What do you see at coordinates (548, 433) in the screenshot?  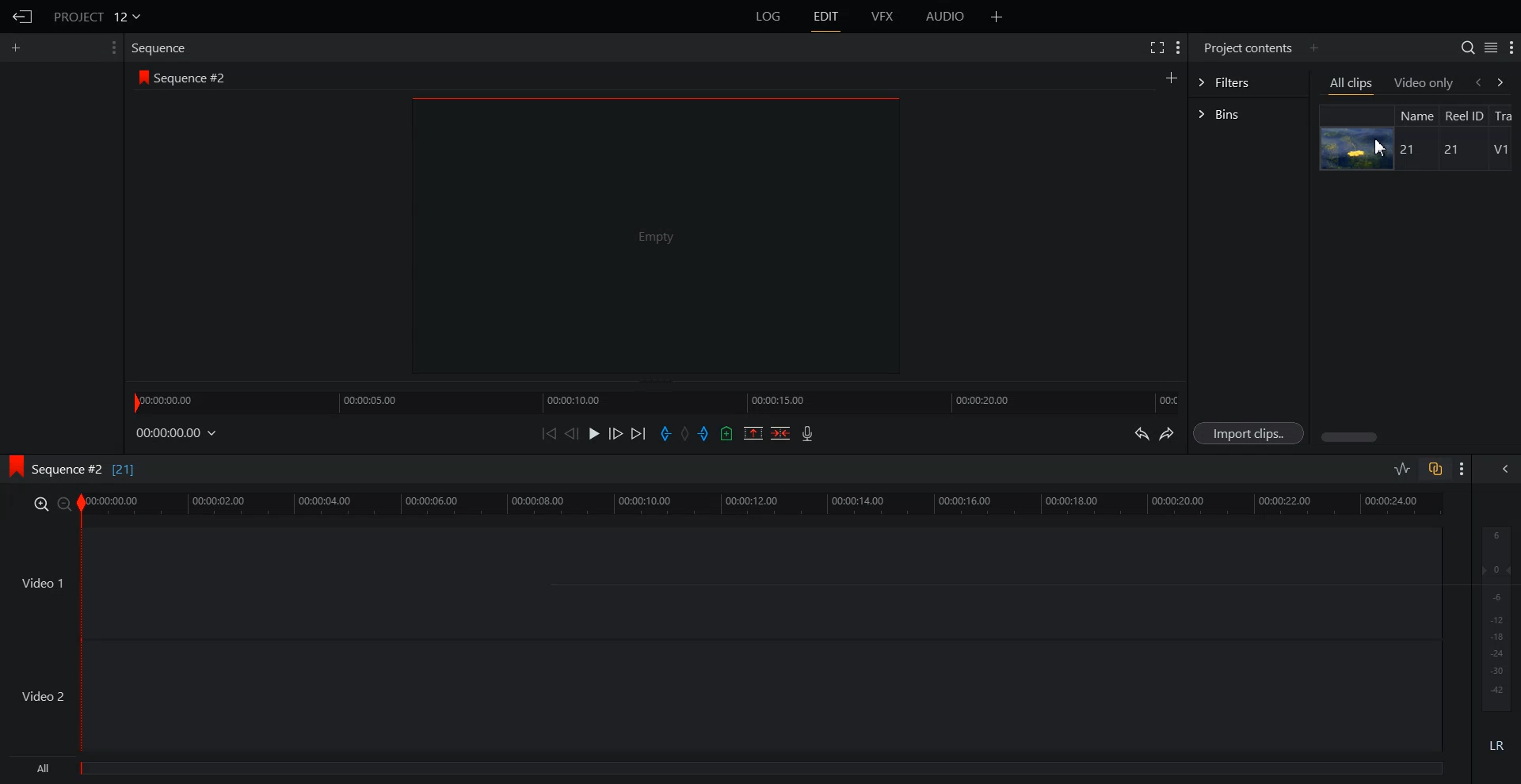 I see `Move Backward` at bounding box center [548, 433].